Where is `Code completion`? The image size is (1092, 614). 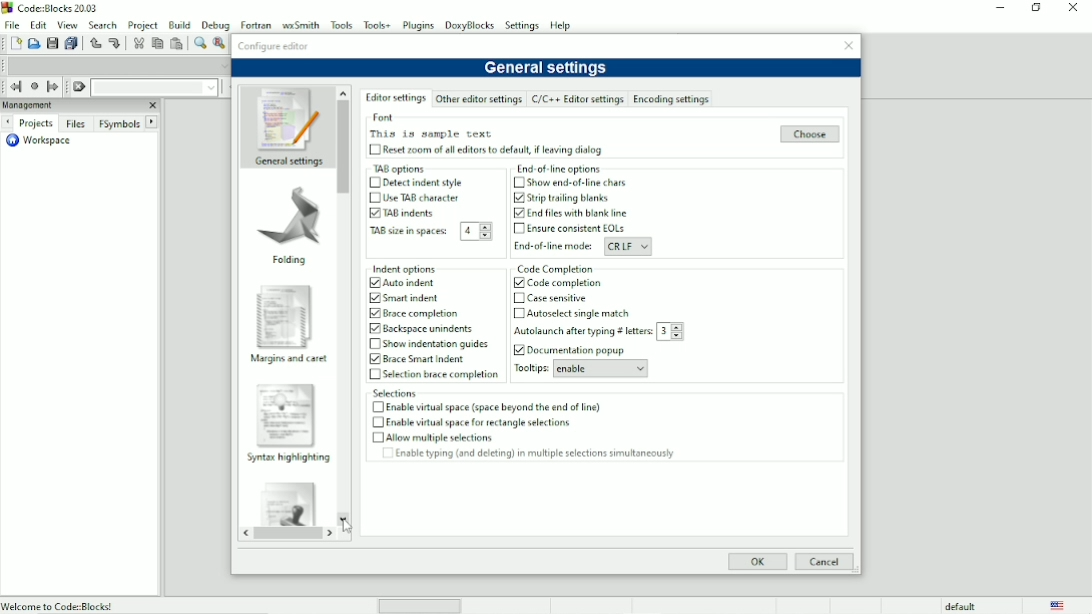 Code completion is located at coordinates (604, 268).